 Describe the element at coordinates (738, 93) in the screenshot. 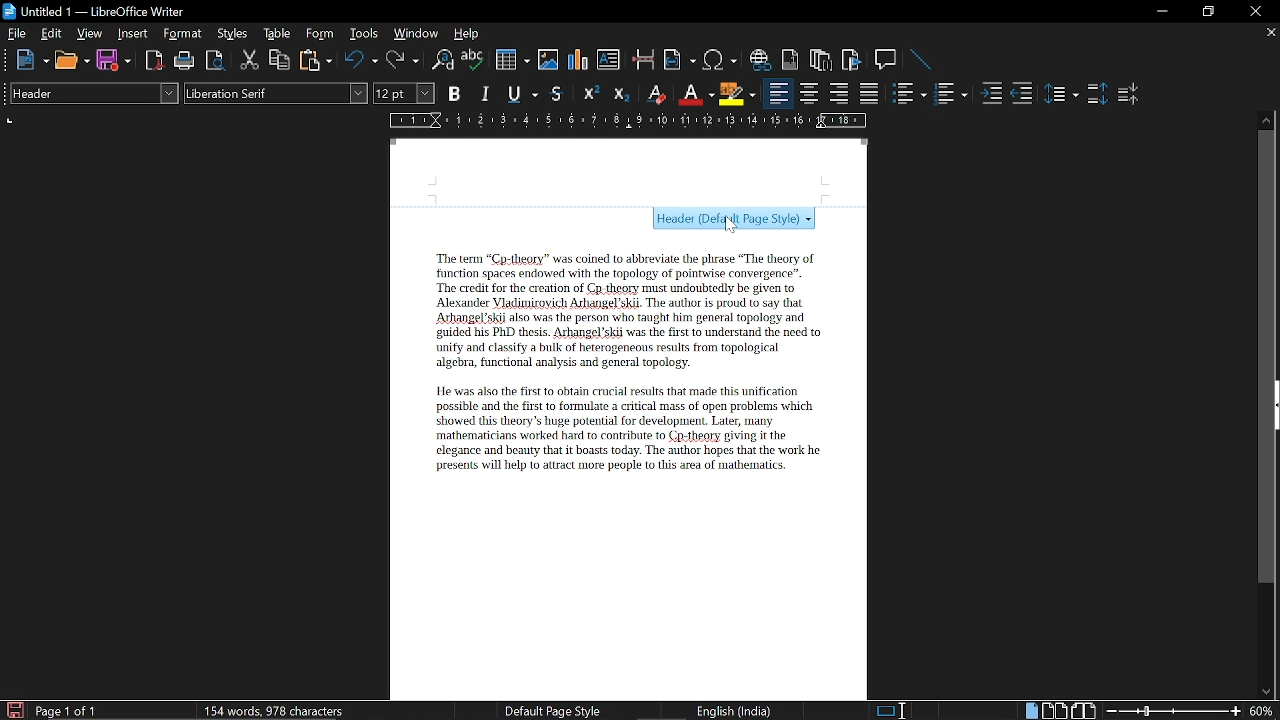

I see `Highlight` at that location.